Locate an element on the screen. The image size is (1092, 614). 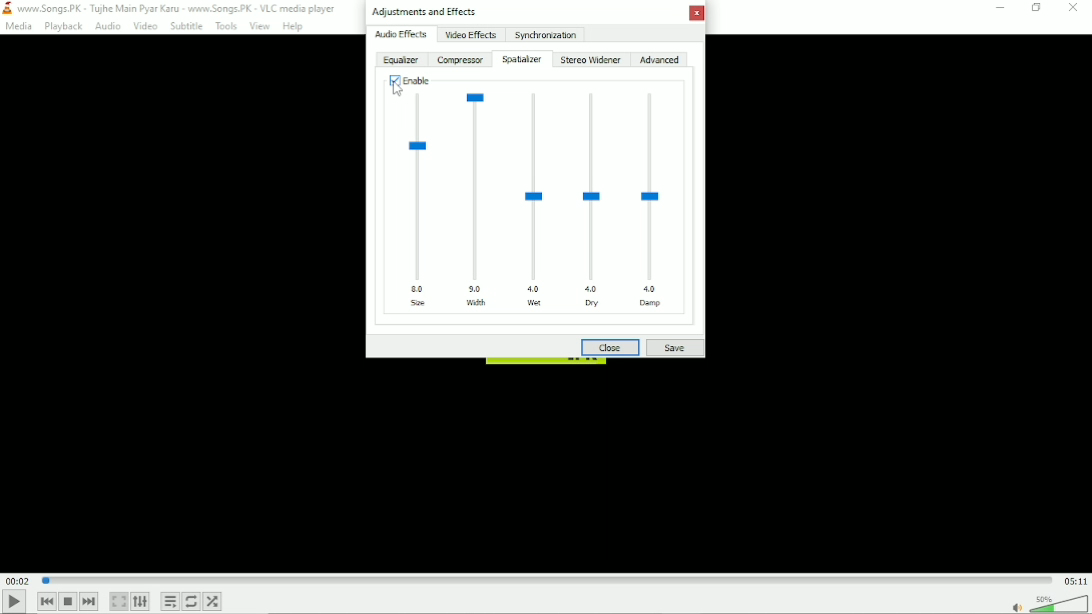
Toggle playlist is located at coordinates (170, 602).